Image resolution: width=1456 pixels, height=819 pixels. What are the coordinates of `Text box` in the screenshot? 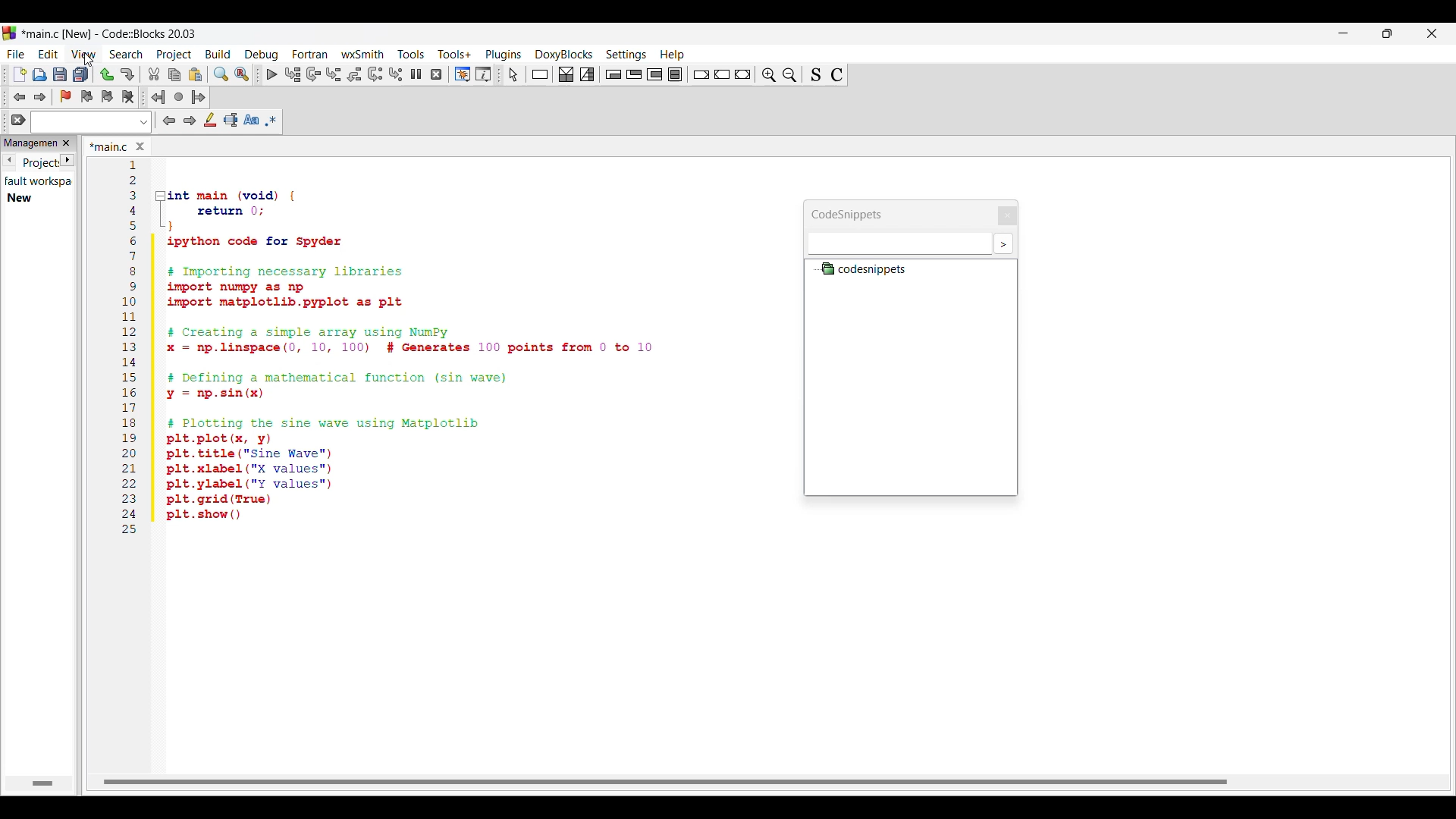 It's located at (896, 243).